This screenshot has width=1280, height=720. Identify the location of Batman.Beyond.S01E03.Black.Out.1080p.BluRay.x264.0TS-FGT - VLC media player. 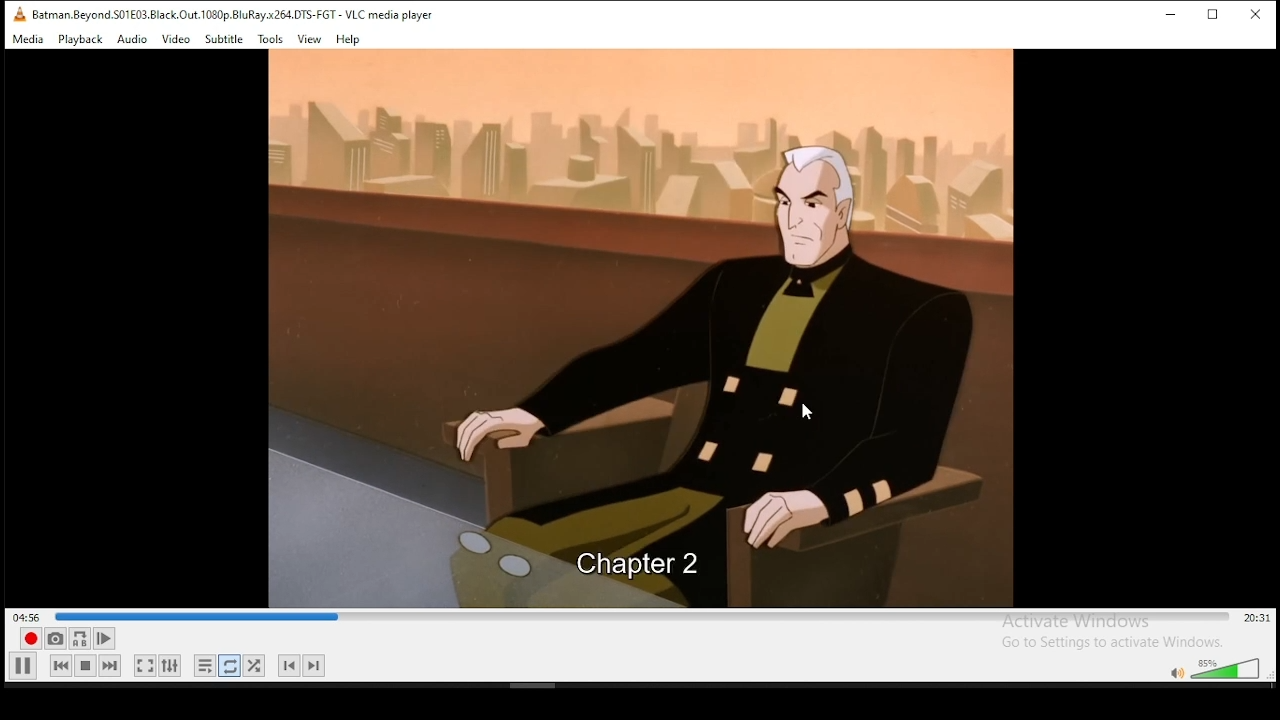
(223, 15).